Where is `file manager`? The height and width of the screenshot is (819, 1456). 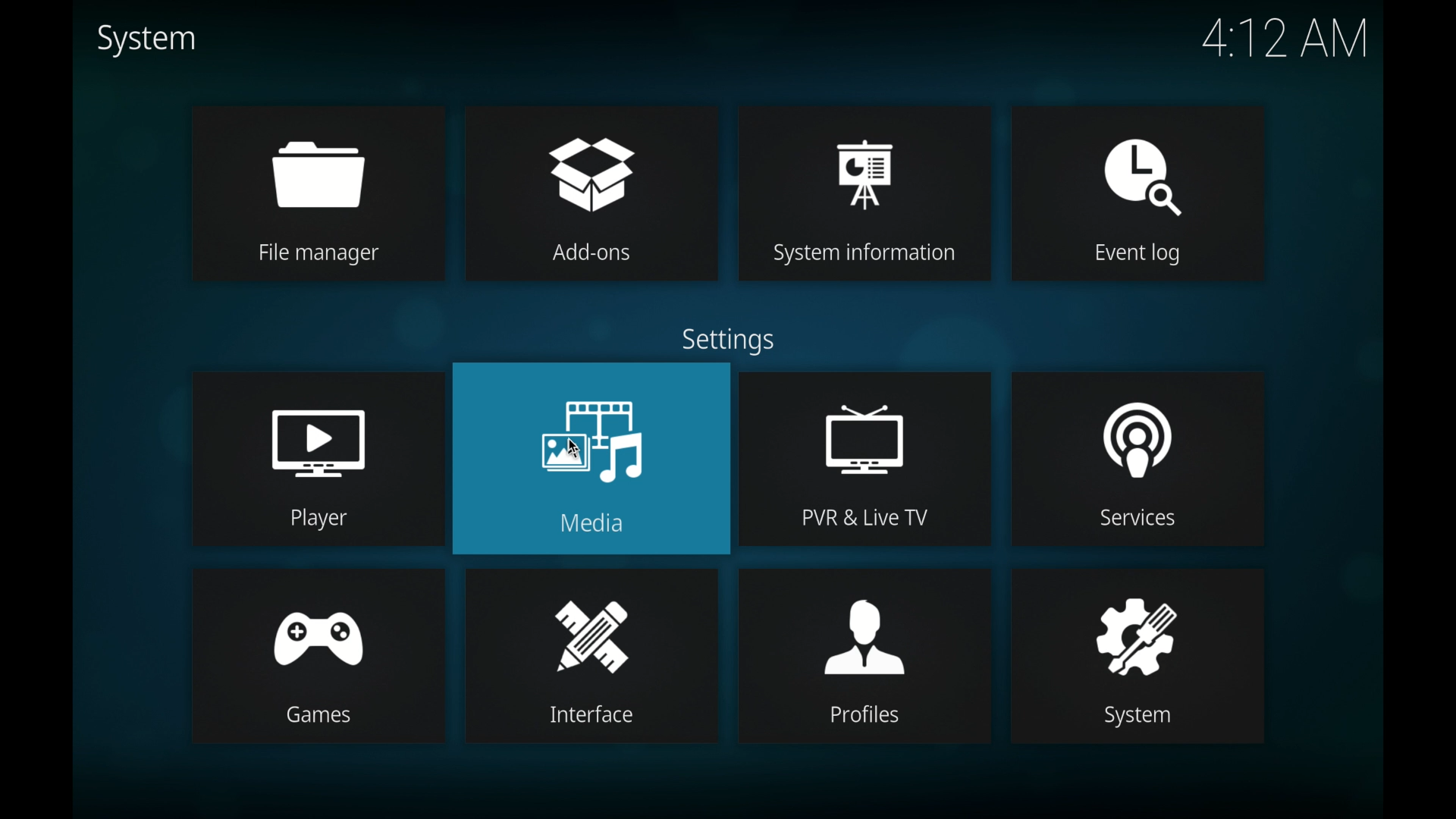
file manager is located at coordinates (315, 161).